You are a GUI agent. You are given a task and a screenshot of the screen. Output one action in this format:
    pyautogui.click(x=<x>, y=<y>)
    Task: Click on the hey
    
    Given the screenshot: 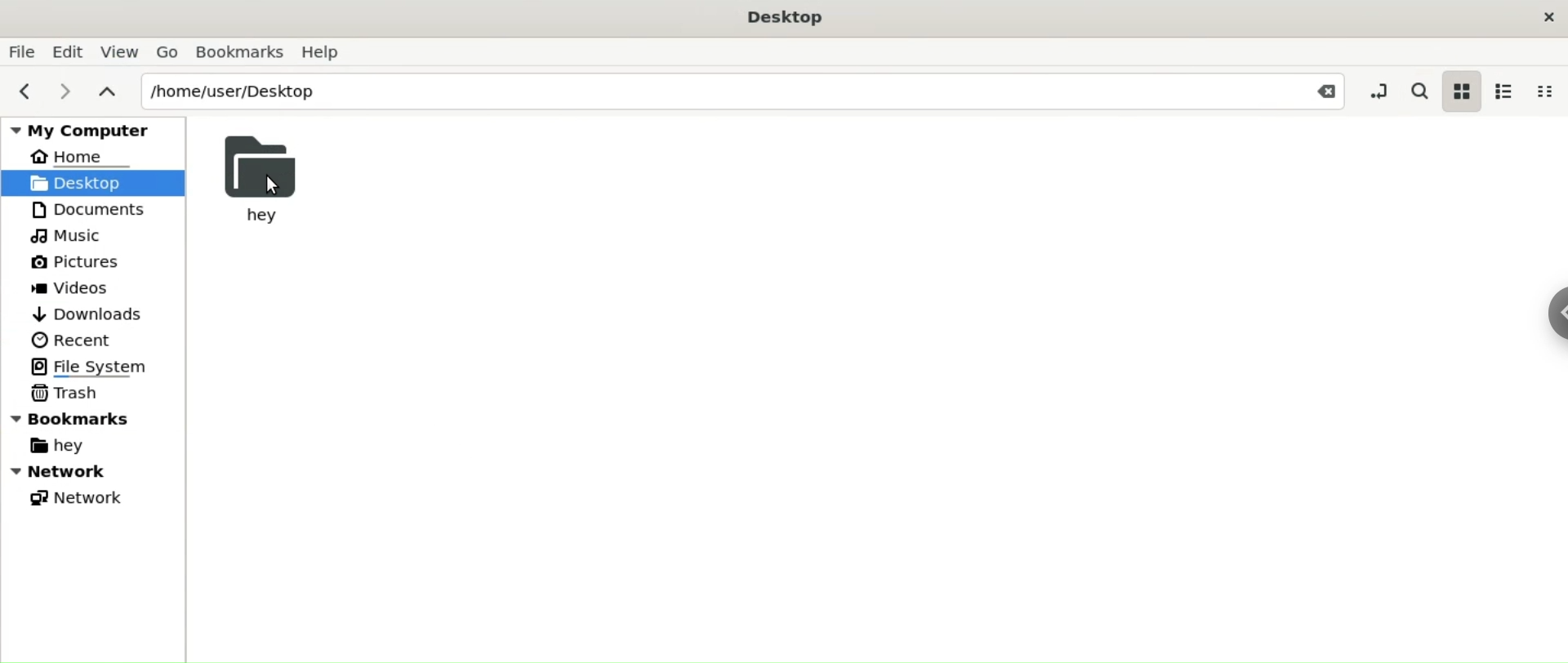 What is the action you would take?
    pyautogui.click(x=62, y=447)
    